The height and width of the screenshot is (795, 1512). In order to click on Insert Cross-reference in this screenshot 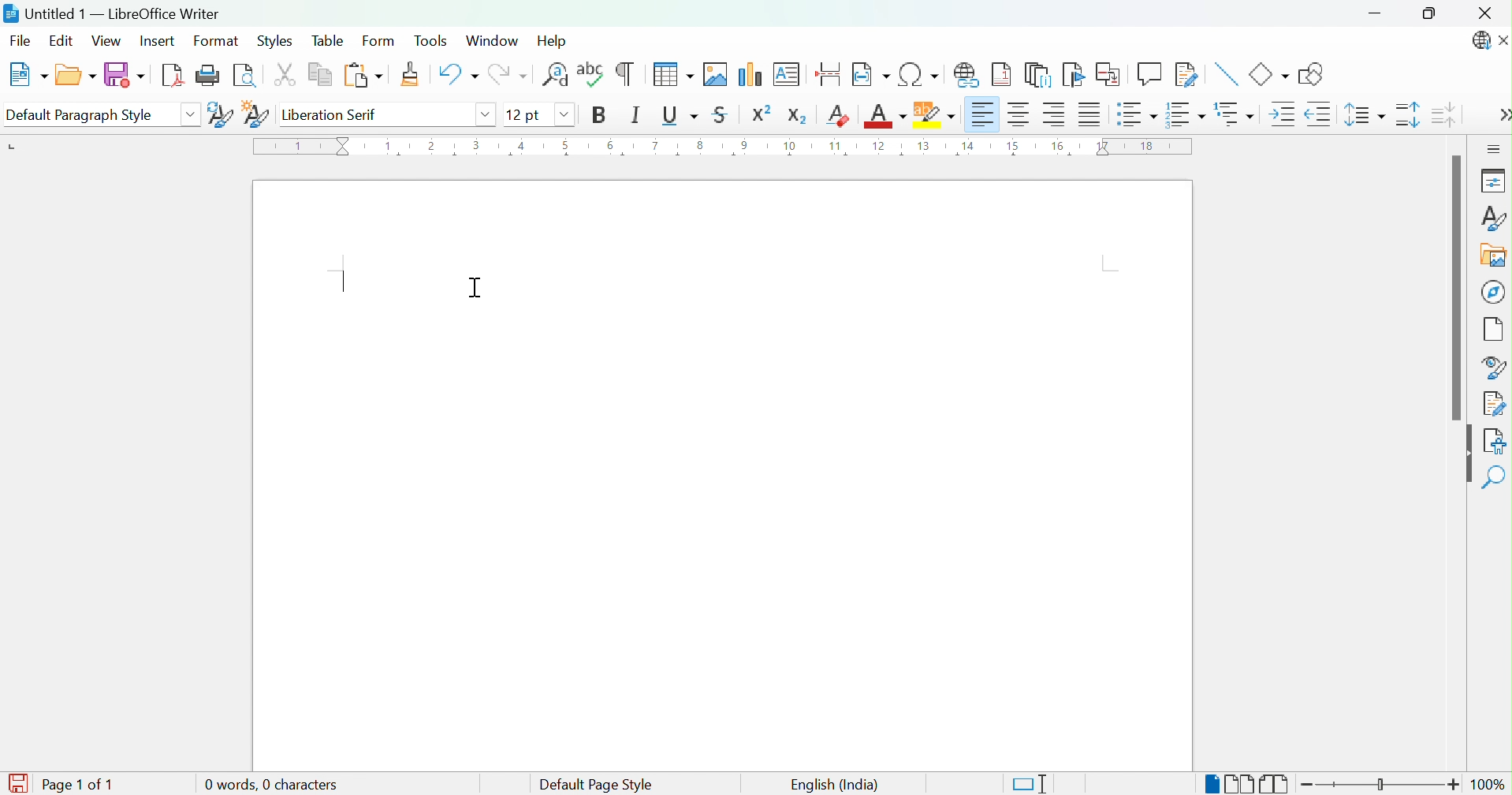, I will do `click(1108, 74)`.